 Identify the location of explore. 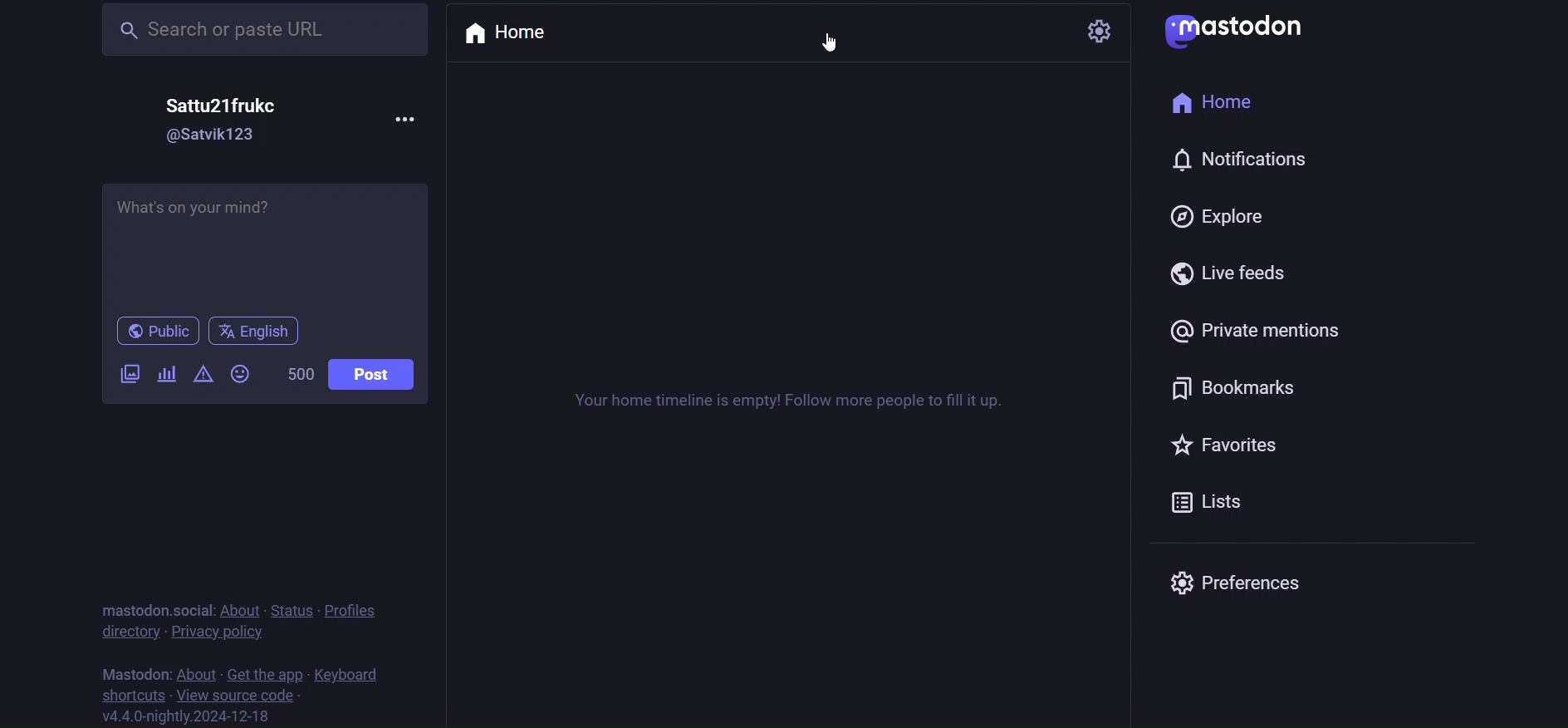
(1230, 218).